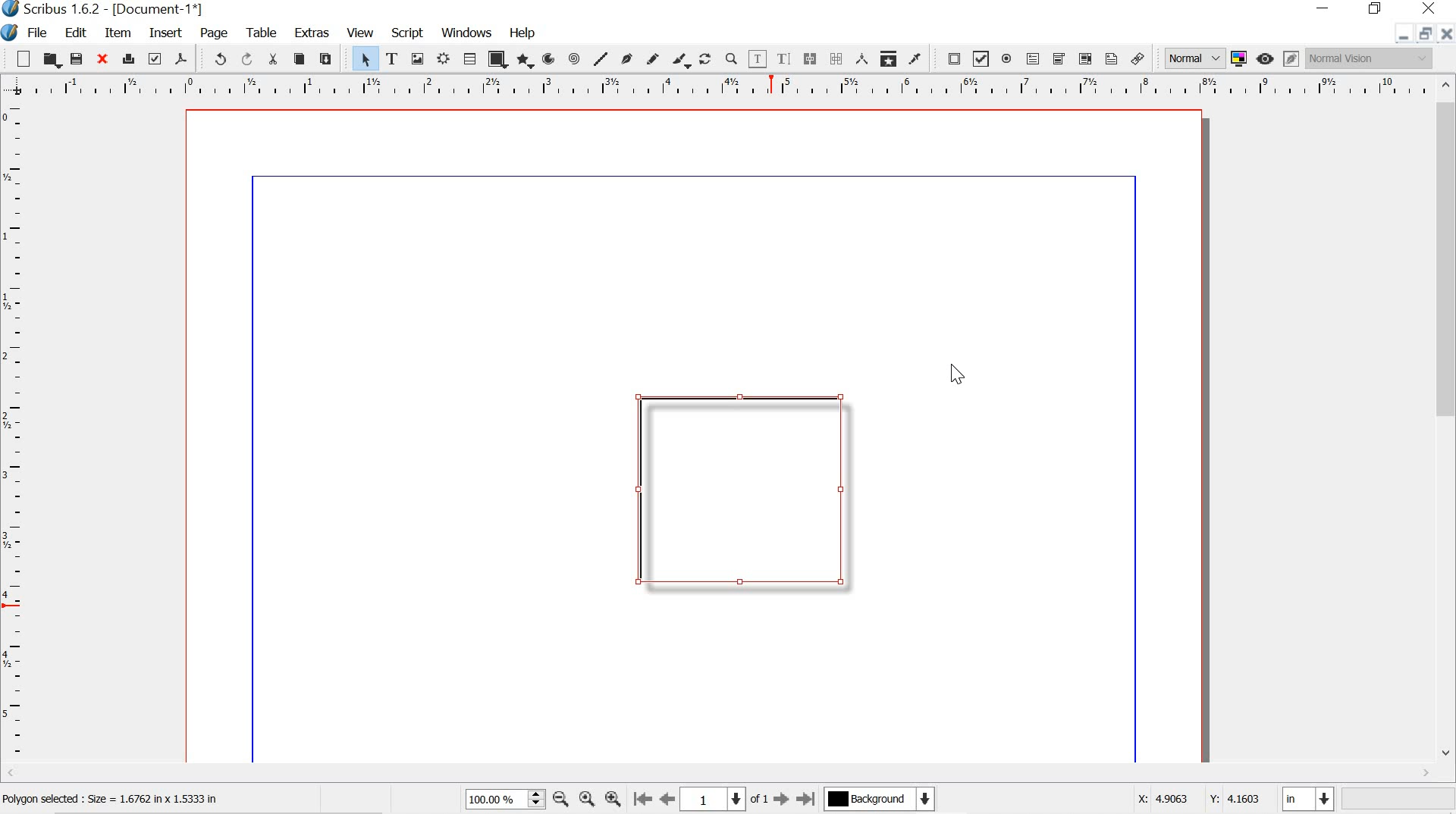 The width and height of the screenshot is (1456, 814). I want to click on RESTORE DOWN, so click(1423, 36).